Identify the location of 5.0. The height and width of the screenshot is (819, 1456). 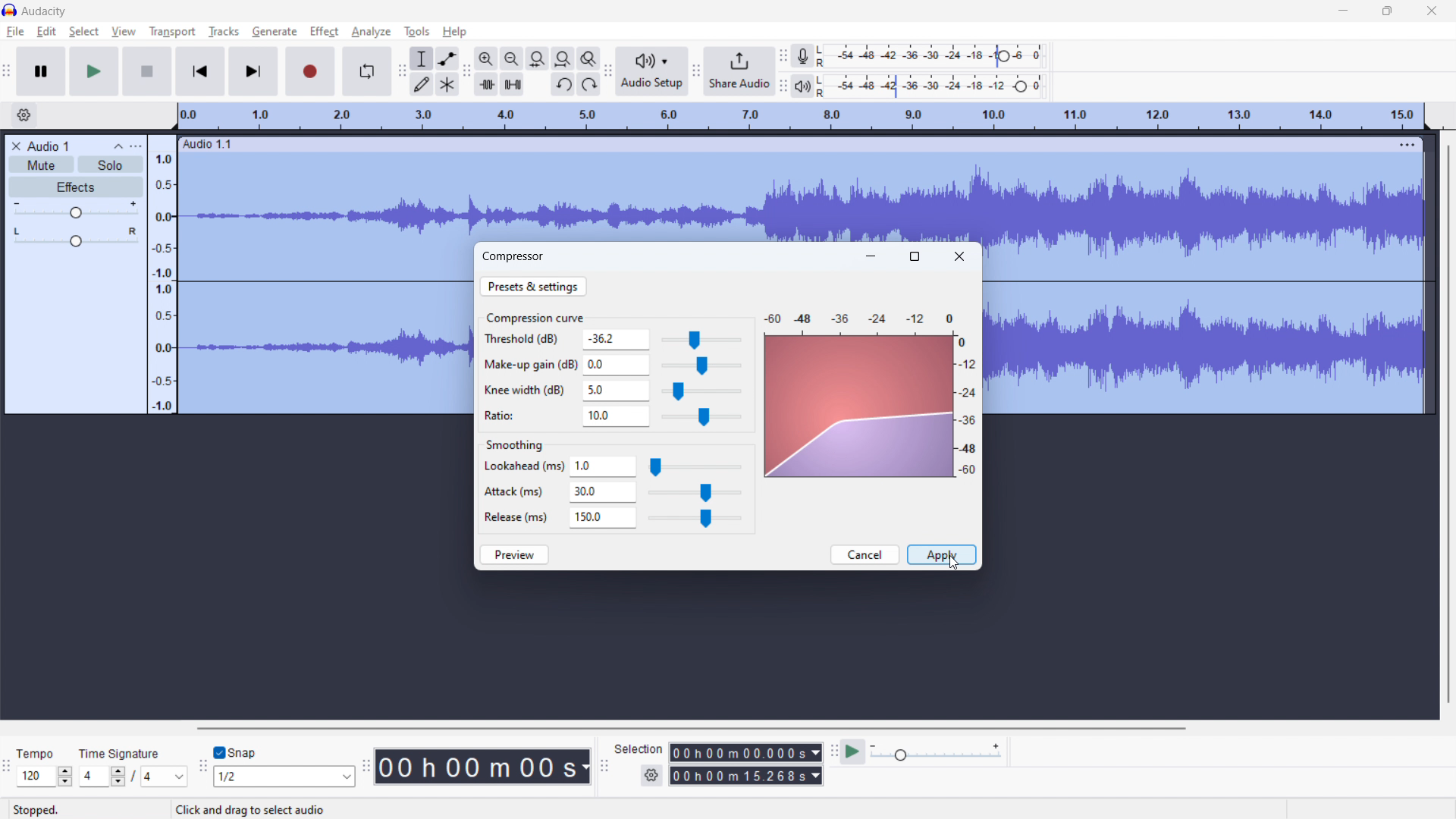
(616, 391).